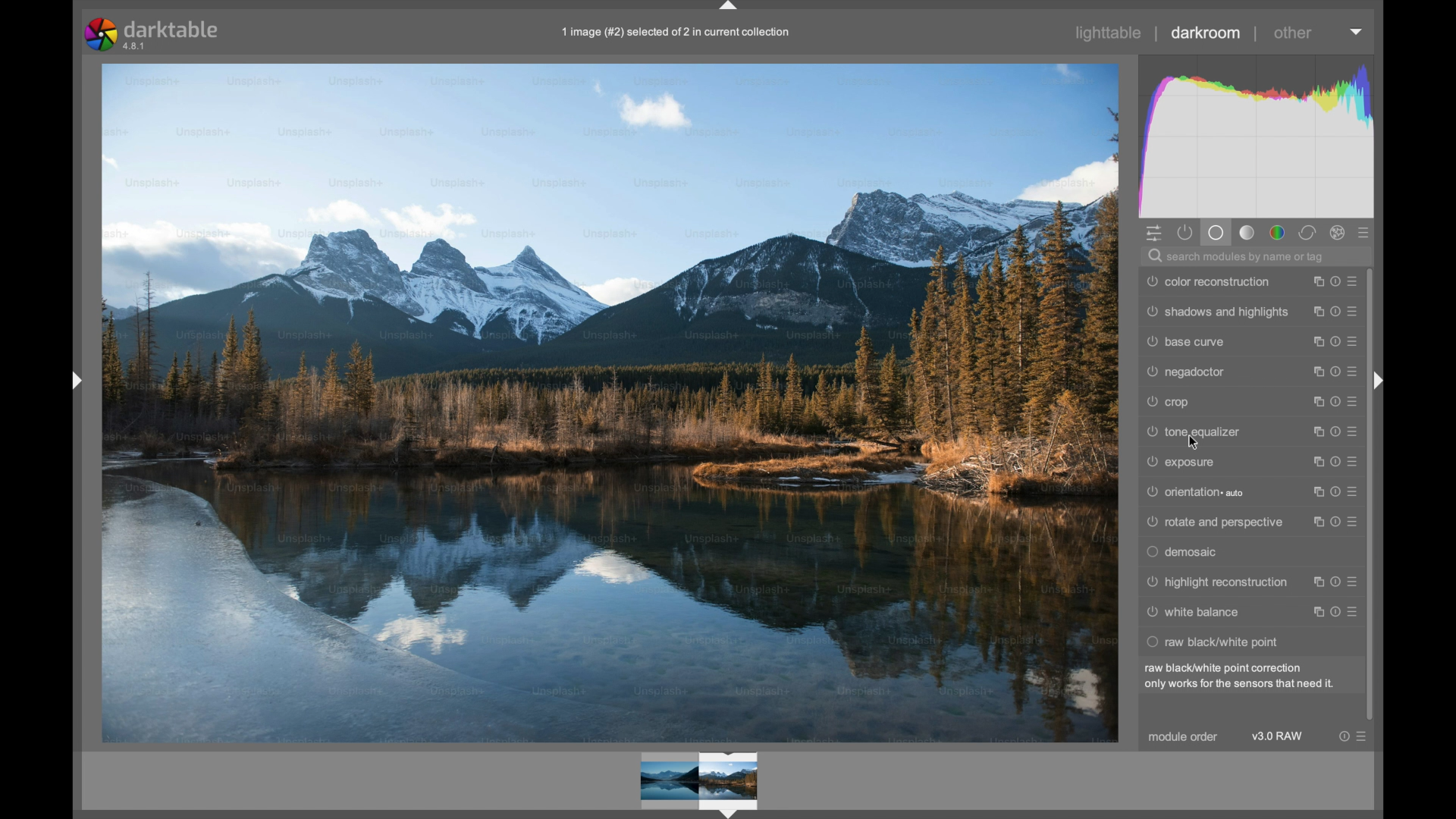  What do you see at coordinates (1185, 372) in the screenshot?
I see `negadoctor` at bounding box center [1185, 372].